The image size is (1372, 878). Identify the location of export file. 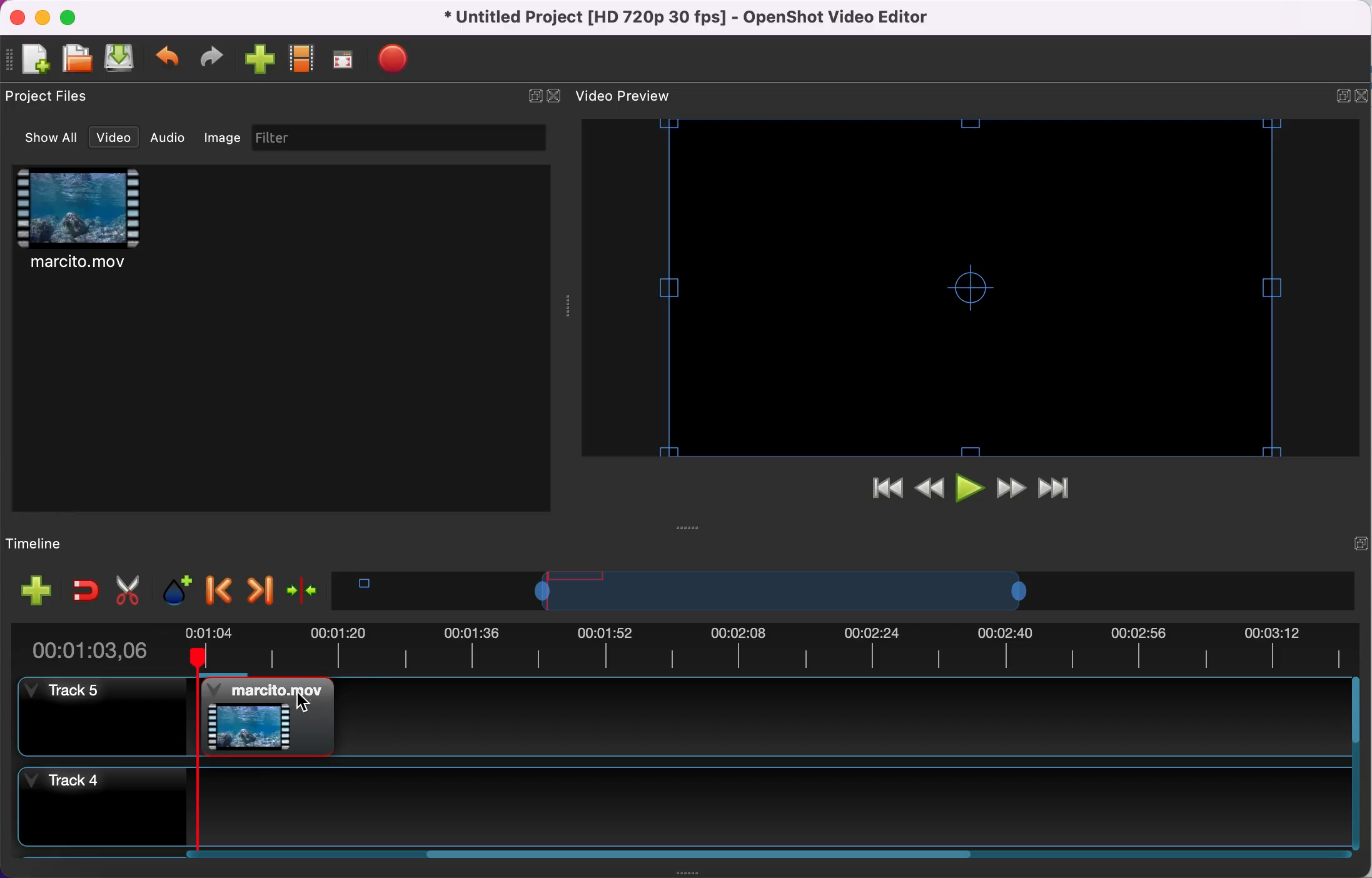
(408, 59).